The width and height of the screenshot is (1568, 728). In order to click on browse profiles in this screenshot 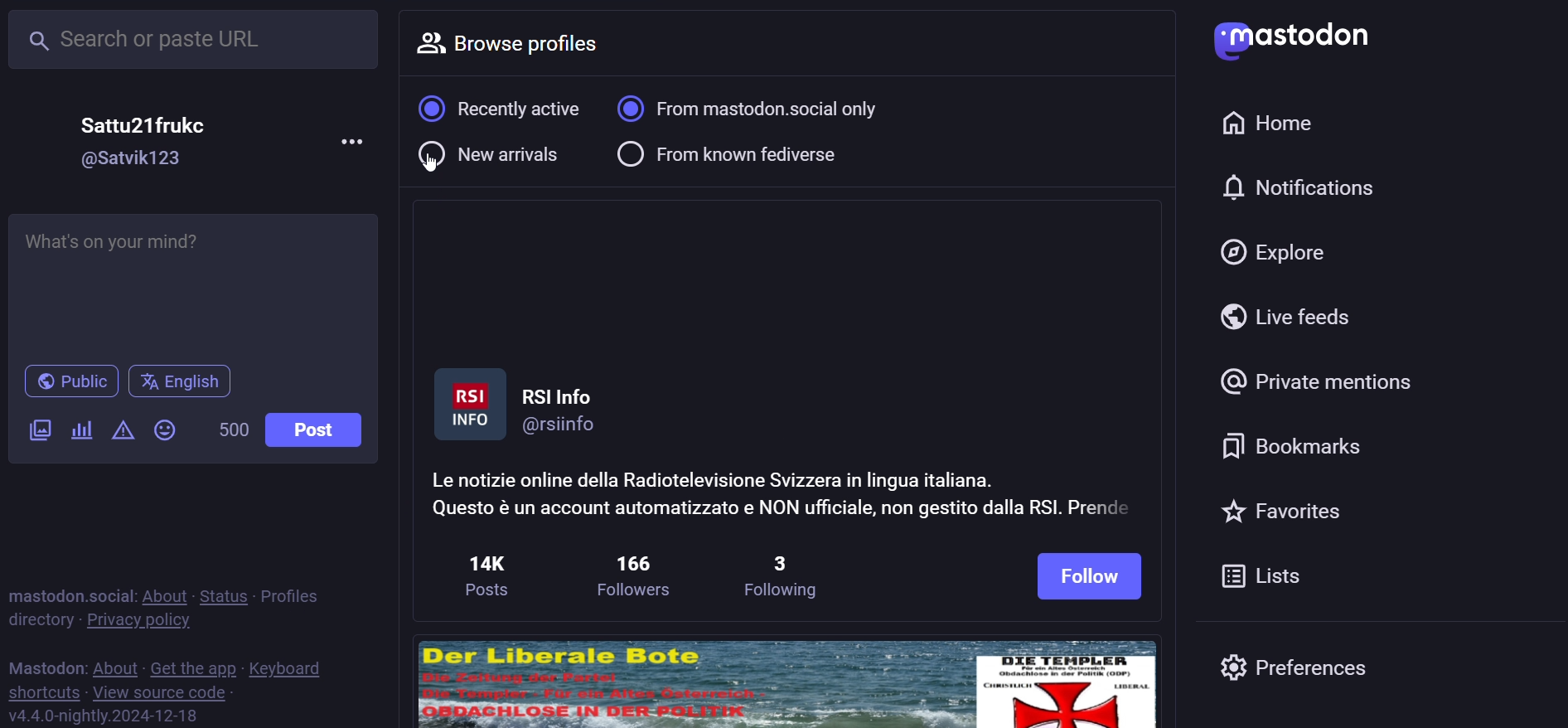, I will do `click(530, 44)`.